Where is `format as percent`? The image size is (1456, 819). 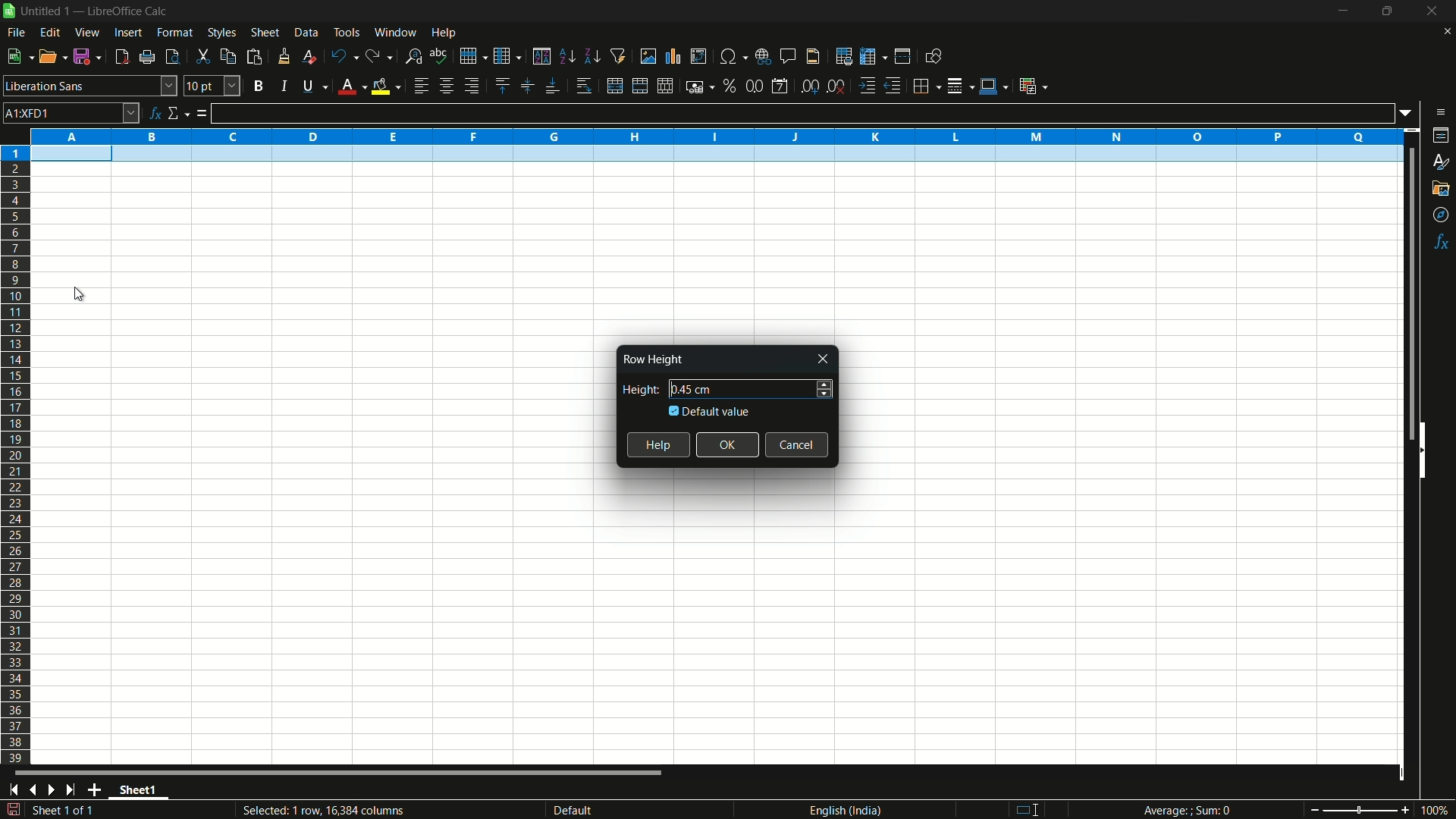 format as percent is located at coordinates (730, 85).